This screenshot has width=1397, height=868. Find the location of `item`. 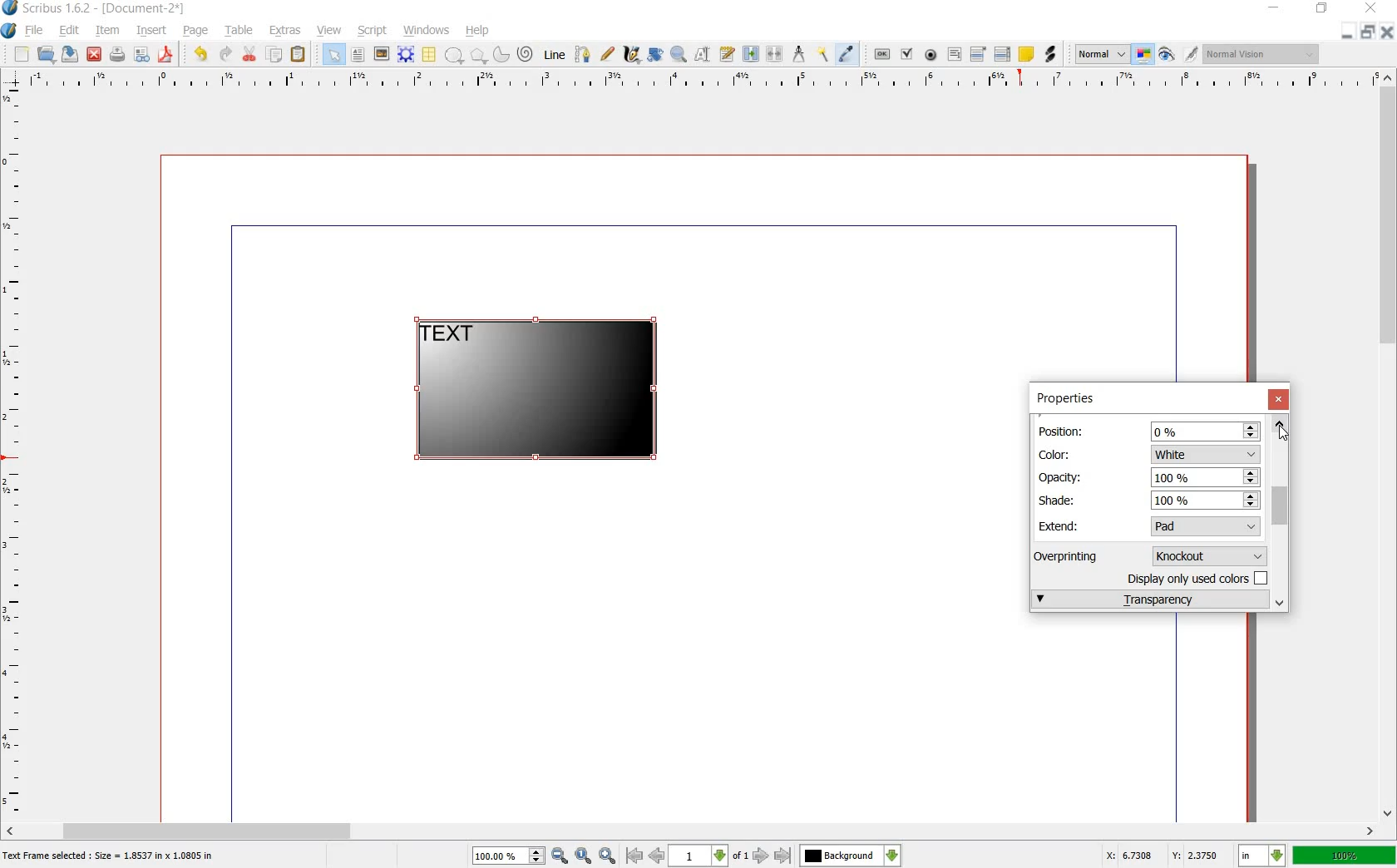

item is located at coordinates (106, 32).